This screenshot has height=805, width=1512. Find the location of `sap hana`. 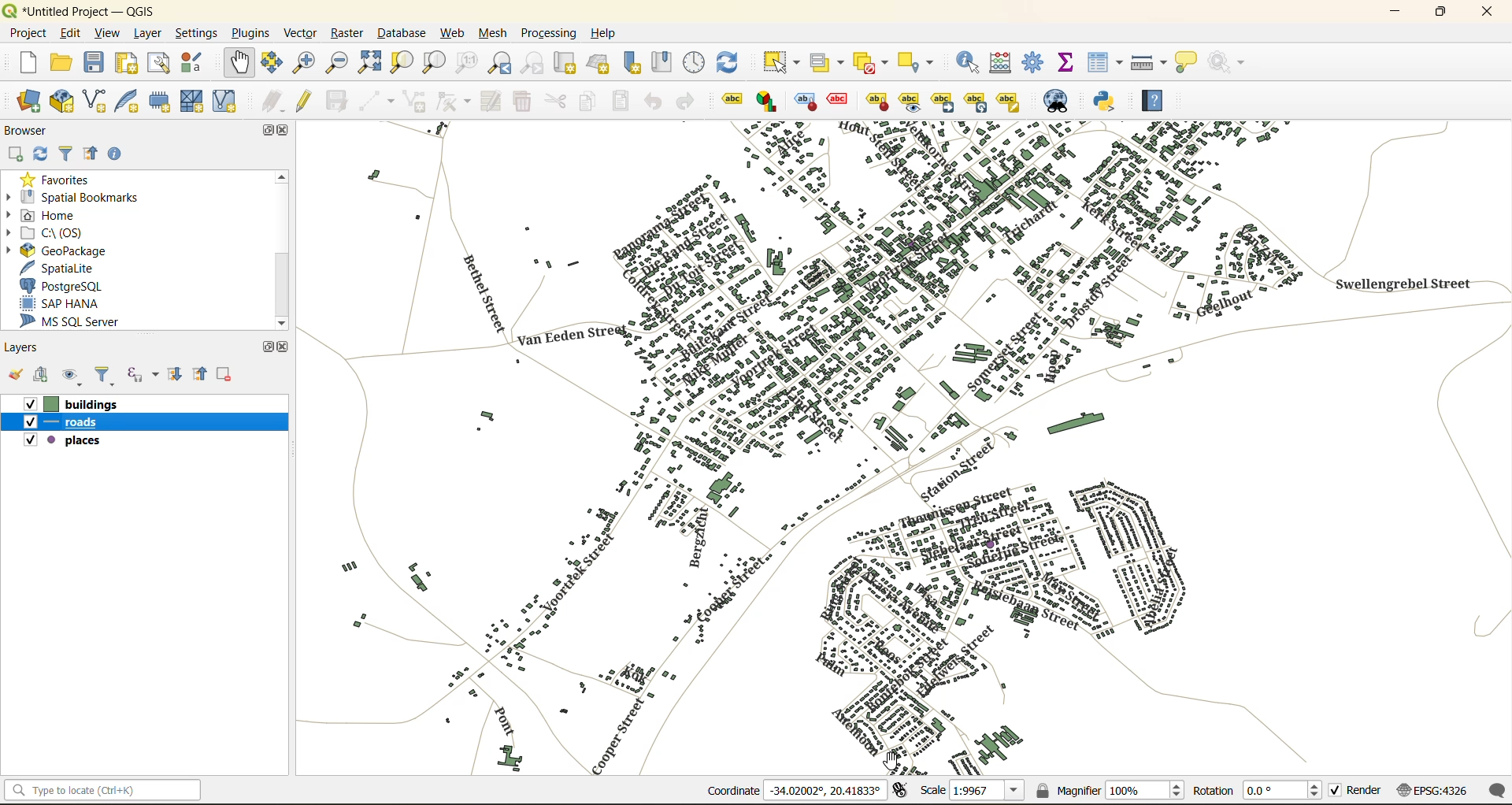

sap hana is located at coordinates (61, 304).